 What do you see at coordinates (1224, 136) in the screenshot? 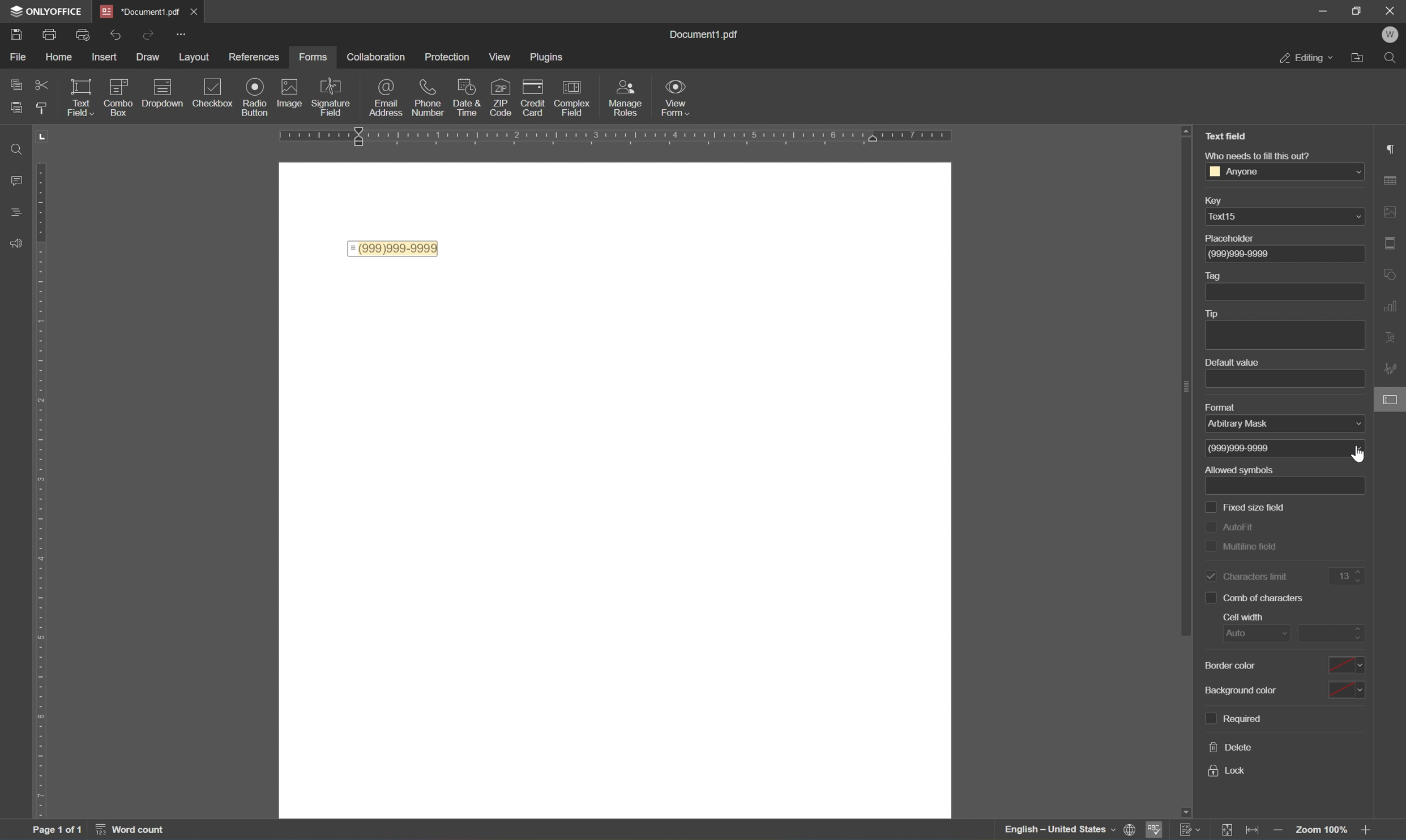
I see `text field` at bounding box center [1224, 136].